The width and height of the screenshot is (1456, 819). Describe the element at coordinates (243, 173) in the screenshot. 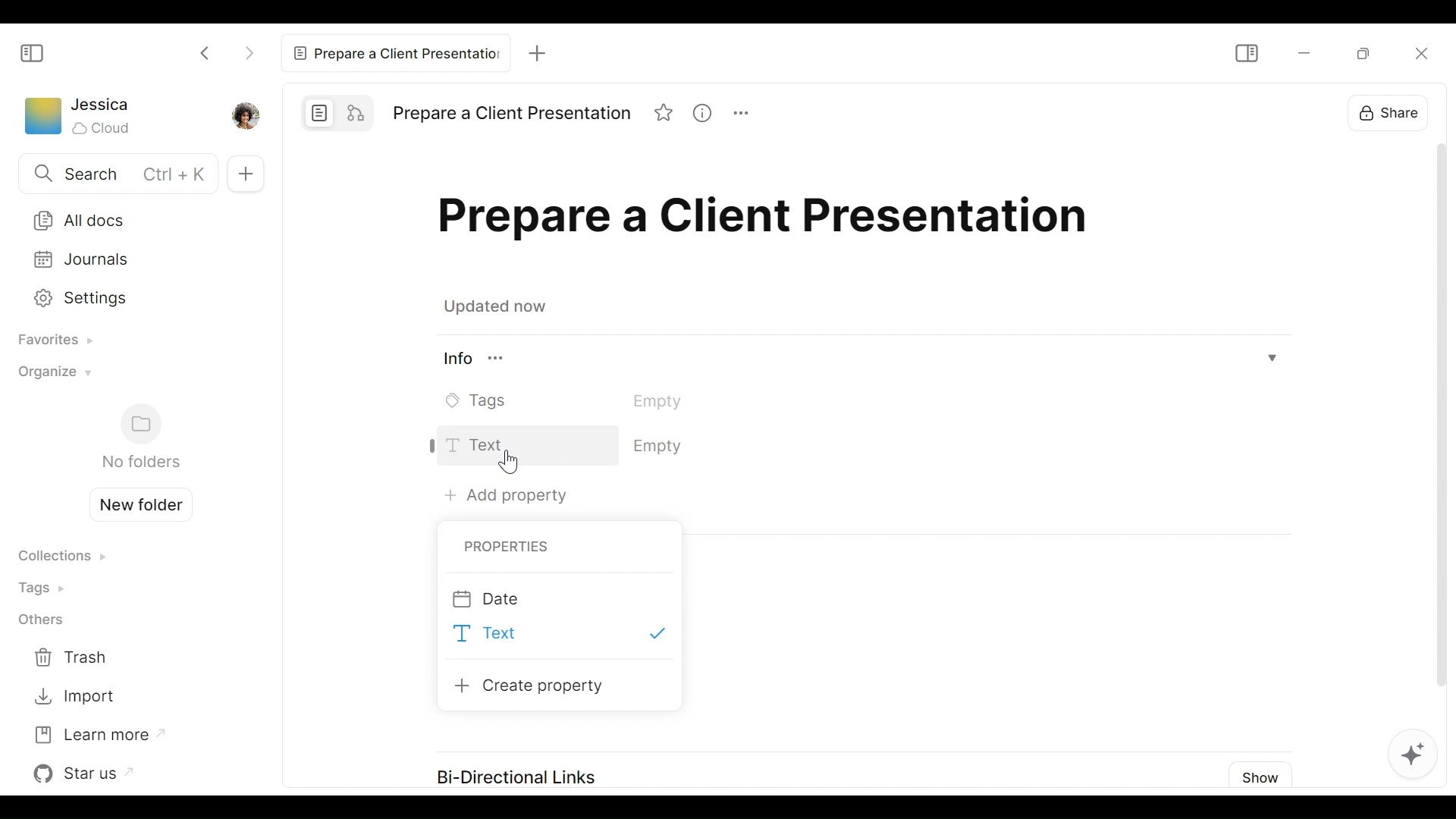

I see `Add new` at that location.